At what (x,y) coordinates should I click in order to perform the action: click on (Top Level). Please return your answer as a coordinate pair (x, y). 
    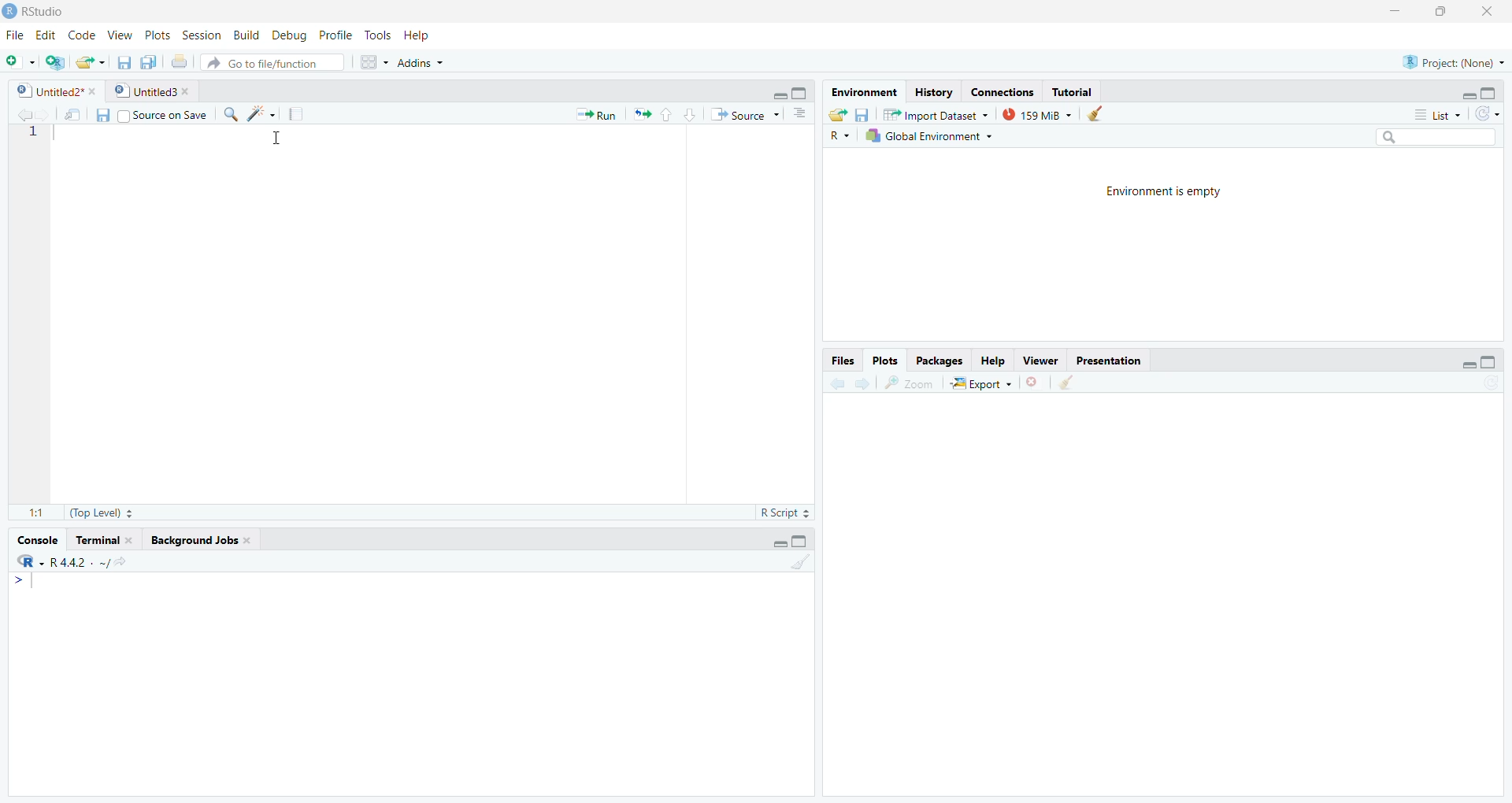
    Looking at the image, I should click on (100, 513).